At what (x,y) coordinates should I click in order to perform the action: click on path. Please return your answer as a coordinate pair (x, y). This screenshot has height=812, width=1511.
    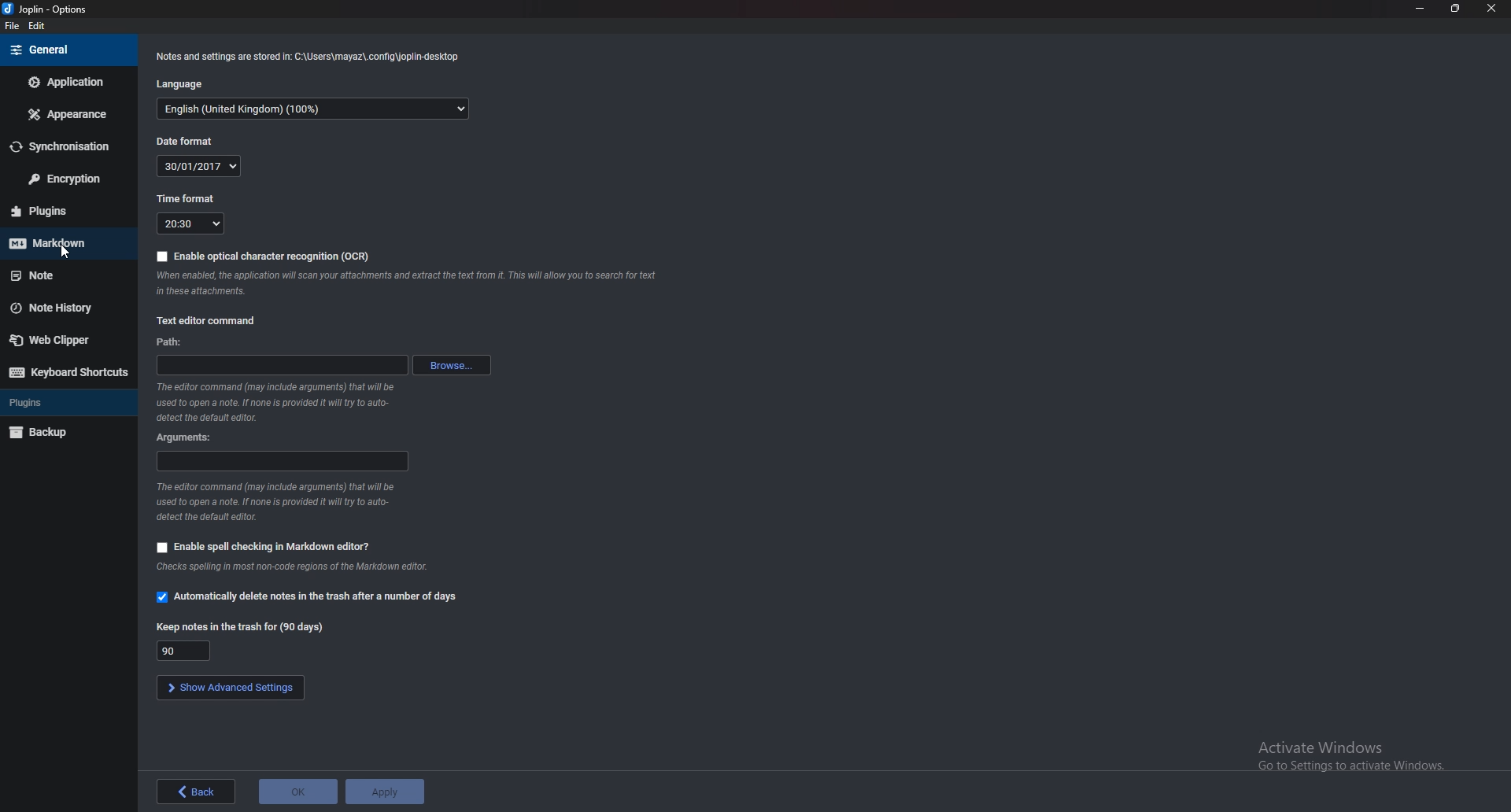
    Looking at the image, I should click on (179, 340).